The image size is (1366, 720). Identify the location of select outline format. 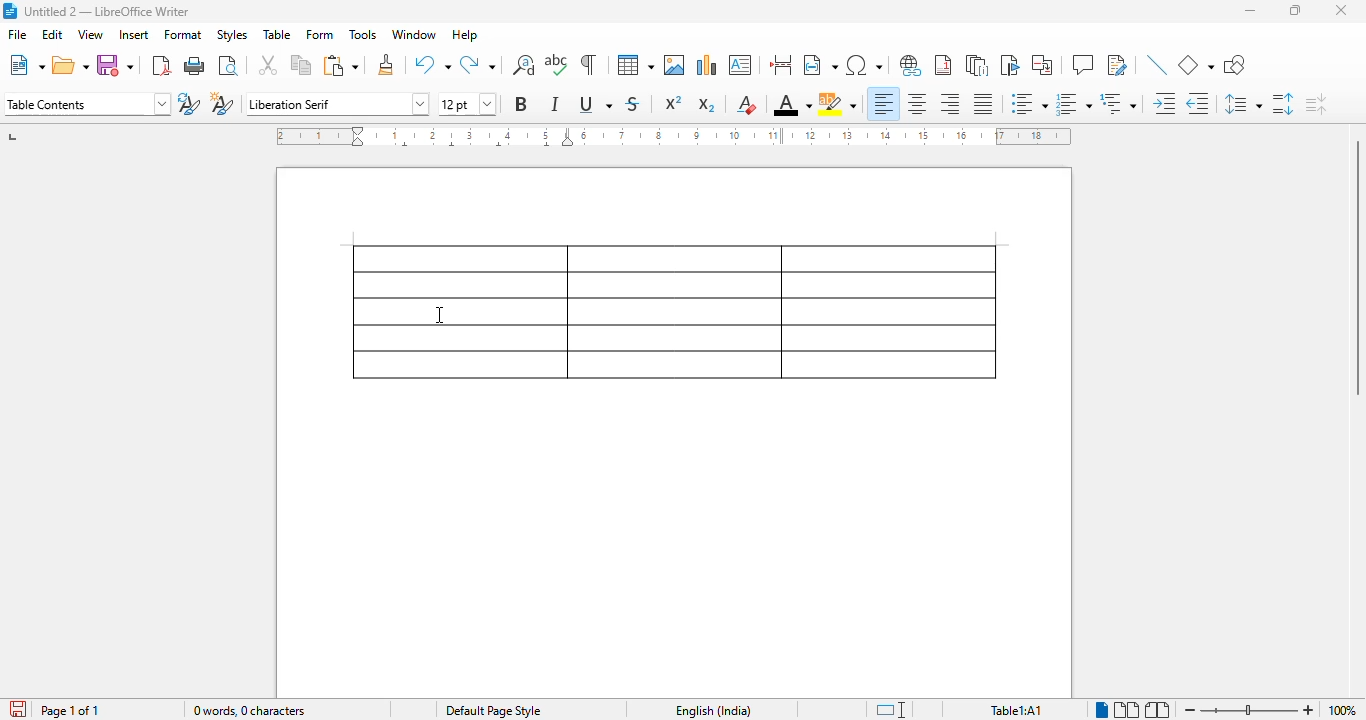
(1118, 104).